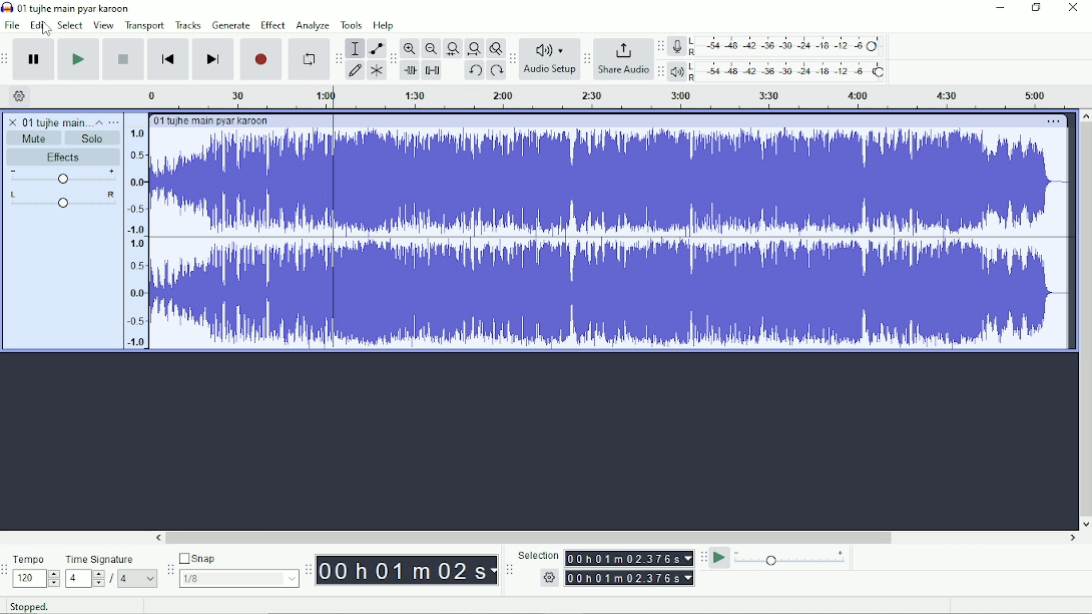 The width and height of the screenshot is (1092, 614). What do you see at coordinates (209, 120) in the screenshot?
I see `Track title` at bounding box center [209, 120].